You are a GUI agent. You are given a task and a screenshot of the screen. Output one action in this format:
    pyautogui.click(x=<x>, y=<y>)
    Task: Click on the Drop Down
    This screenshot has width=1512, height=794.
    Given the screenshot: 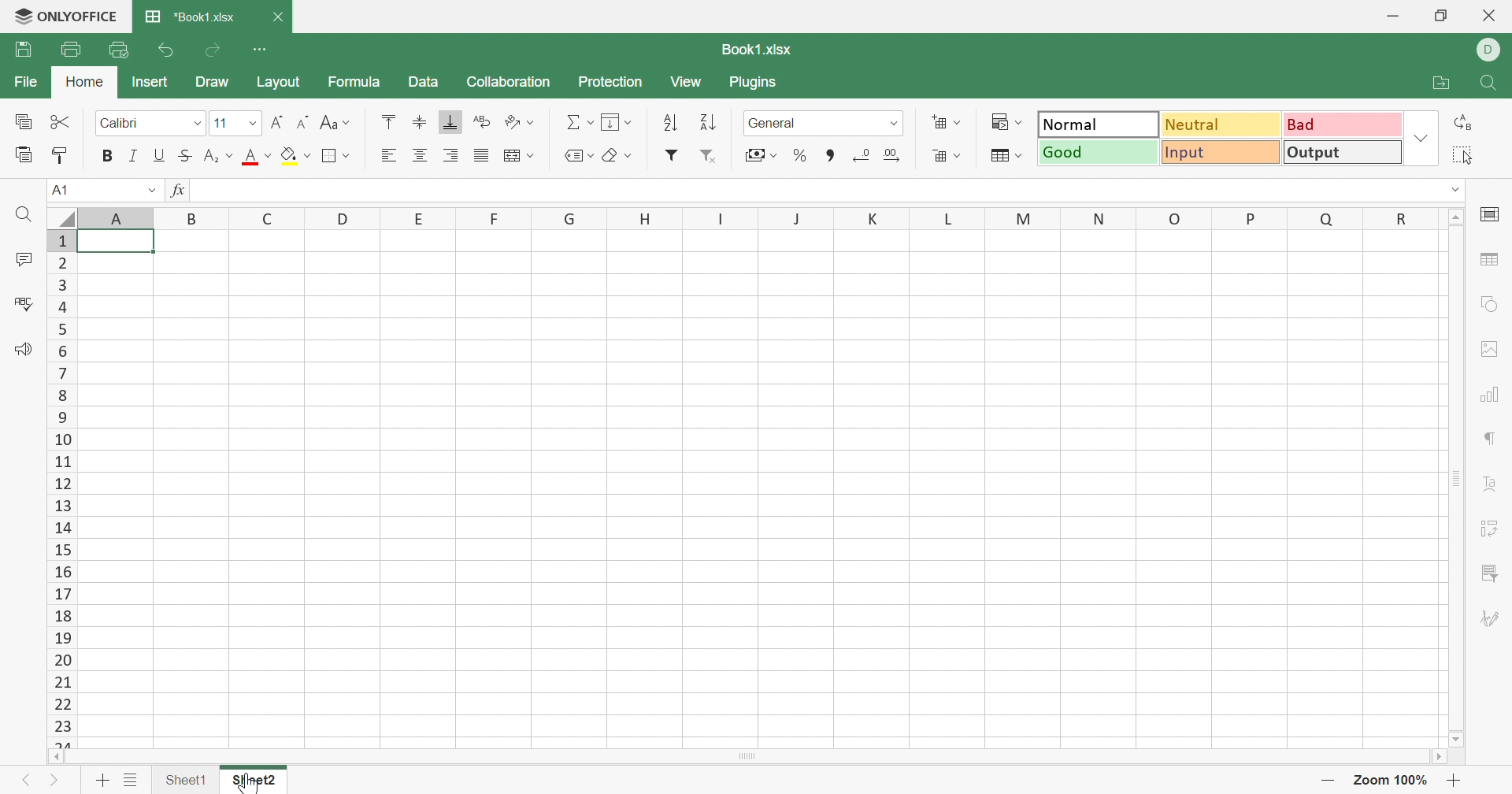 What is the action you would take?
    pyautogui.click(x=231, y=155)
    